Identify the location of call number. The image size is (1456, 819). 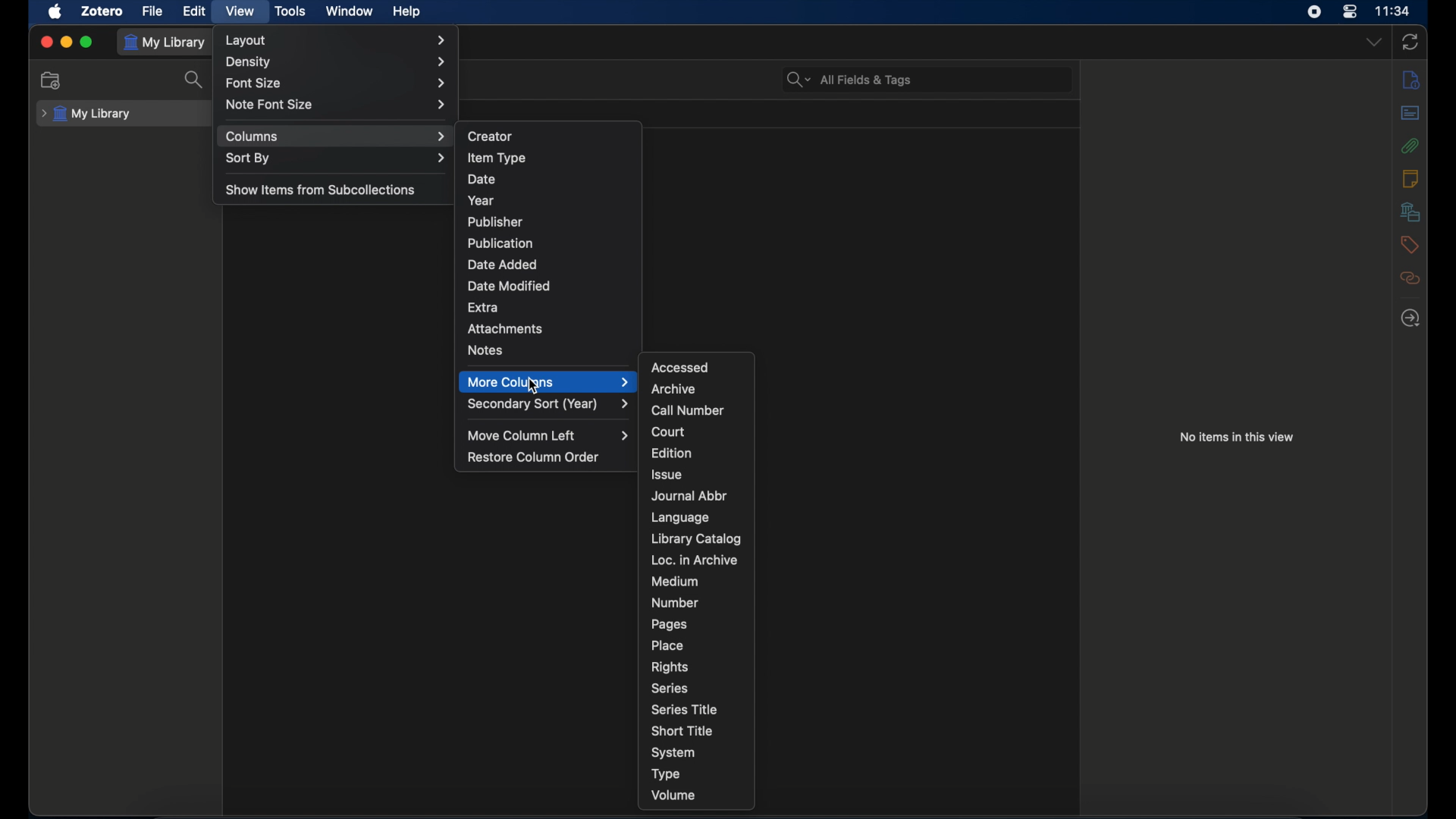
(688, 410).